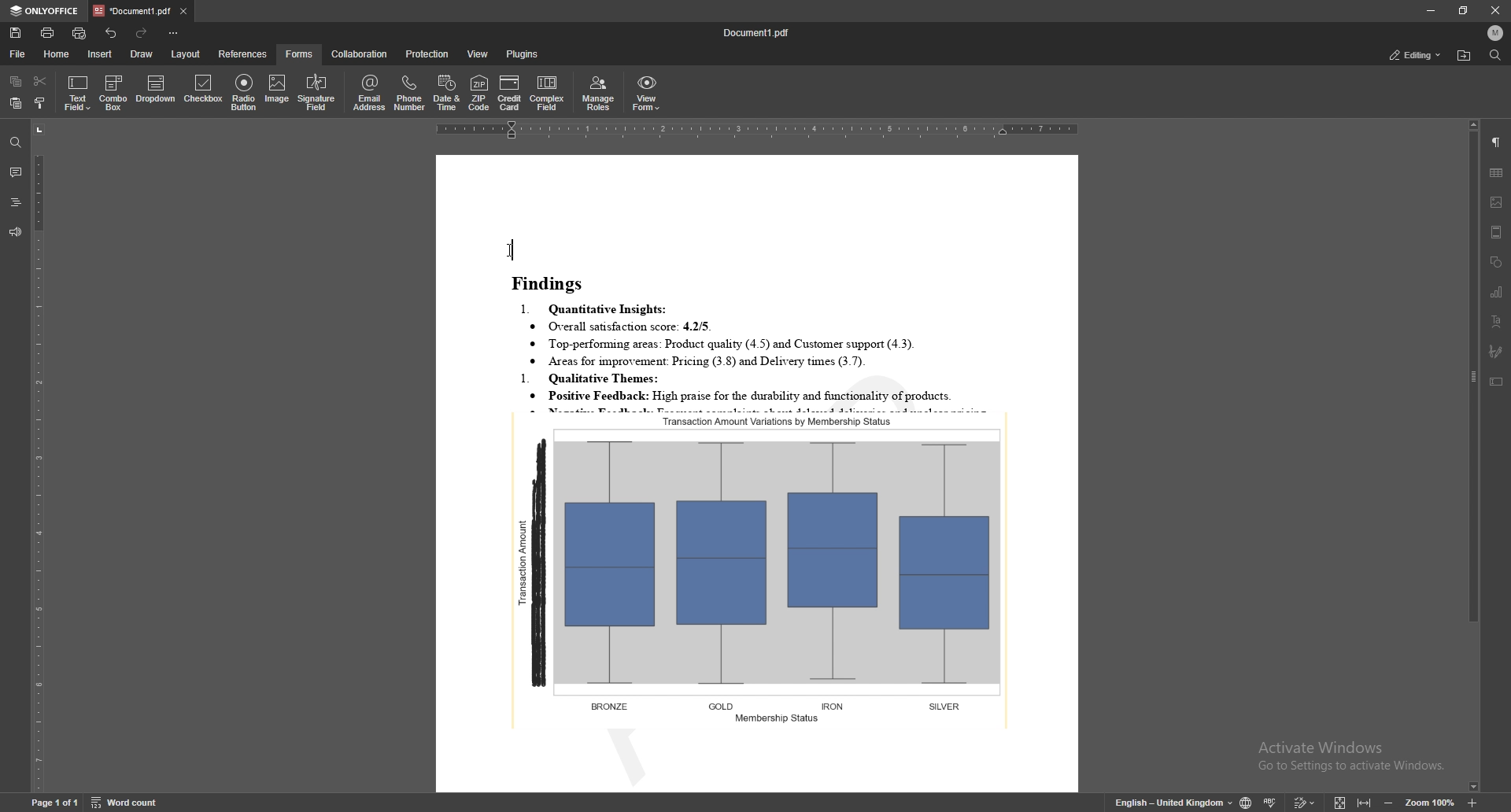 The image size is (1511, 812). What do you see at coordinates (131, 10) in the screenshot?
I see `tab` at bounding box center [131, 10].